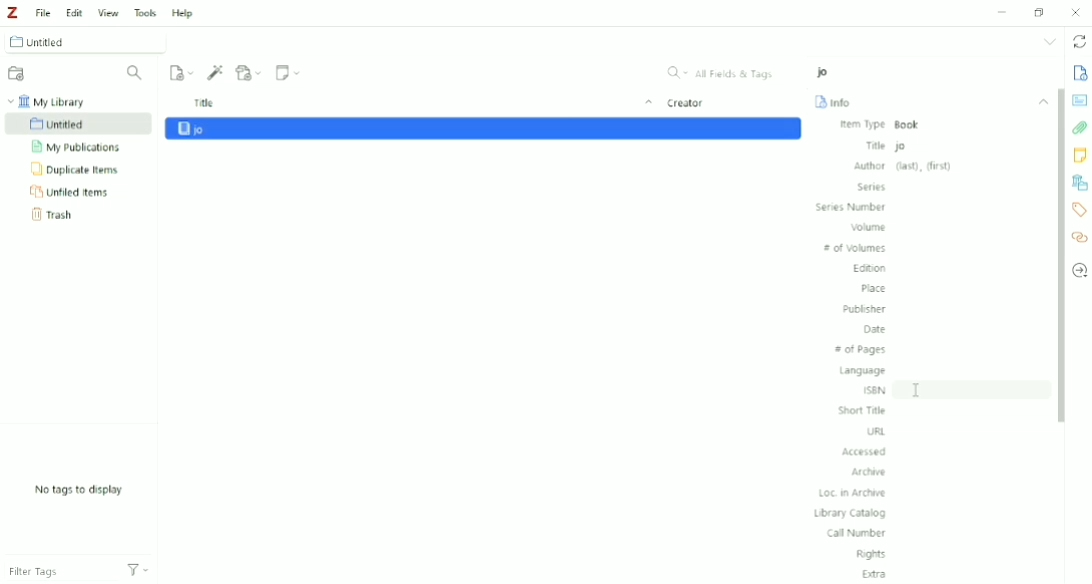 The width and height of the screenshot is (1092, 584). Describe the element at coordinates (1050, 41) in the screenshot. I see `List all tabs` at that location.